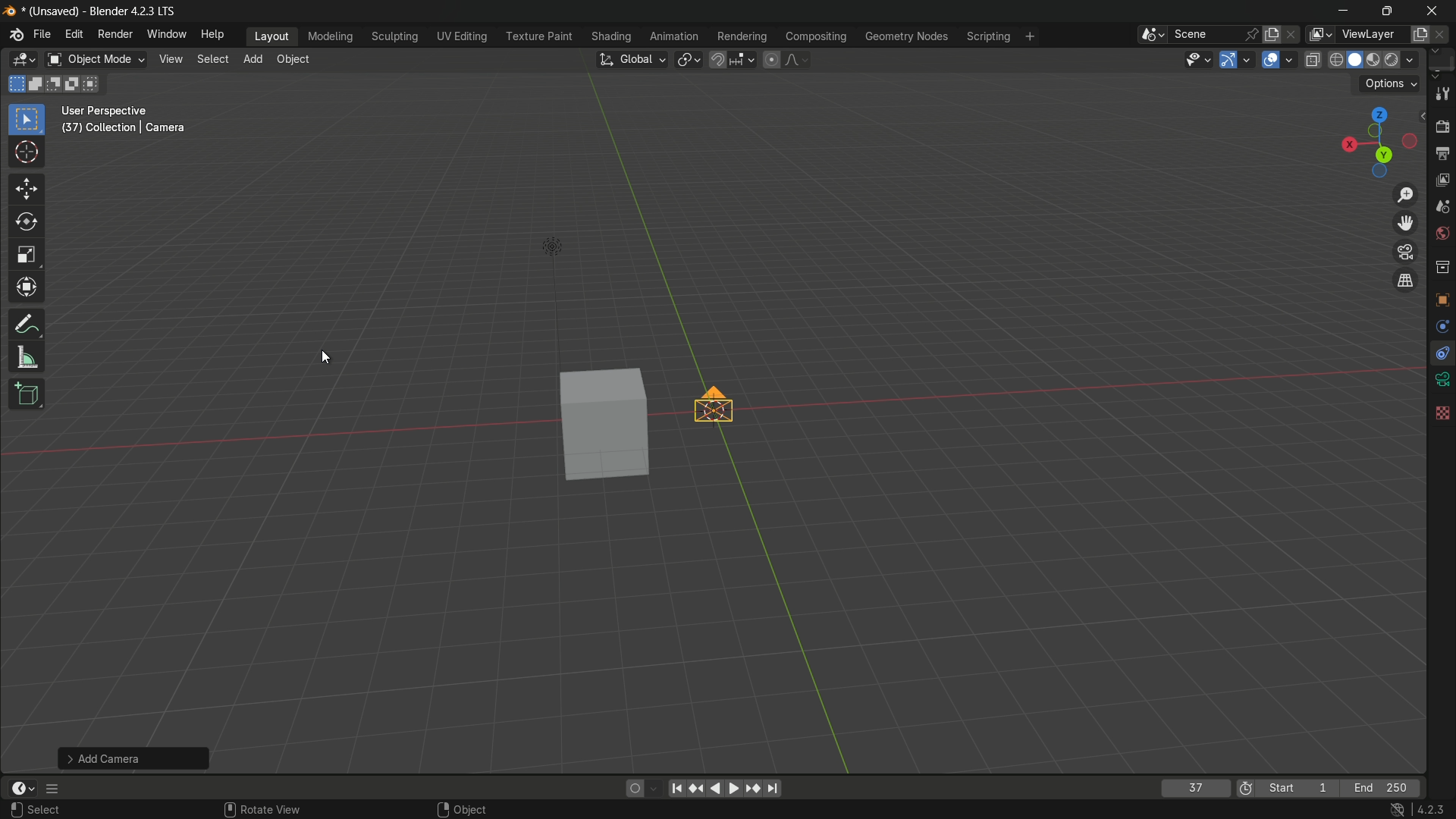 The height and width of the screenshot is (819, 1456). I want to click on close app, so click(1434, 10).